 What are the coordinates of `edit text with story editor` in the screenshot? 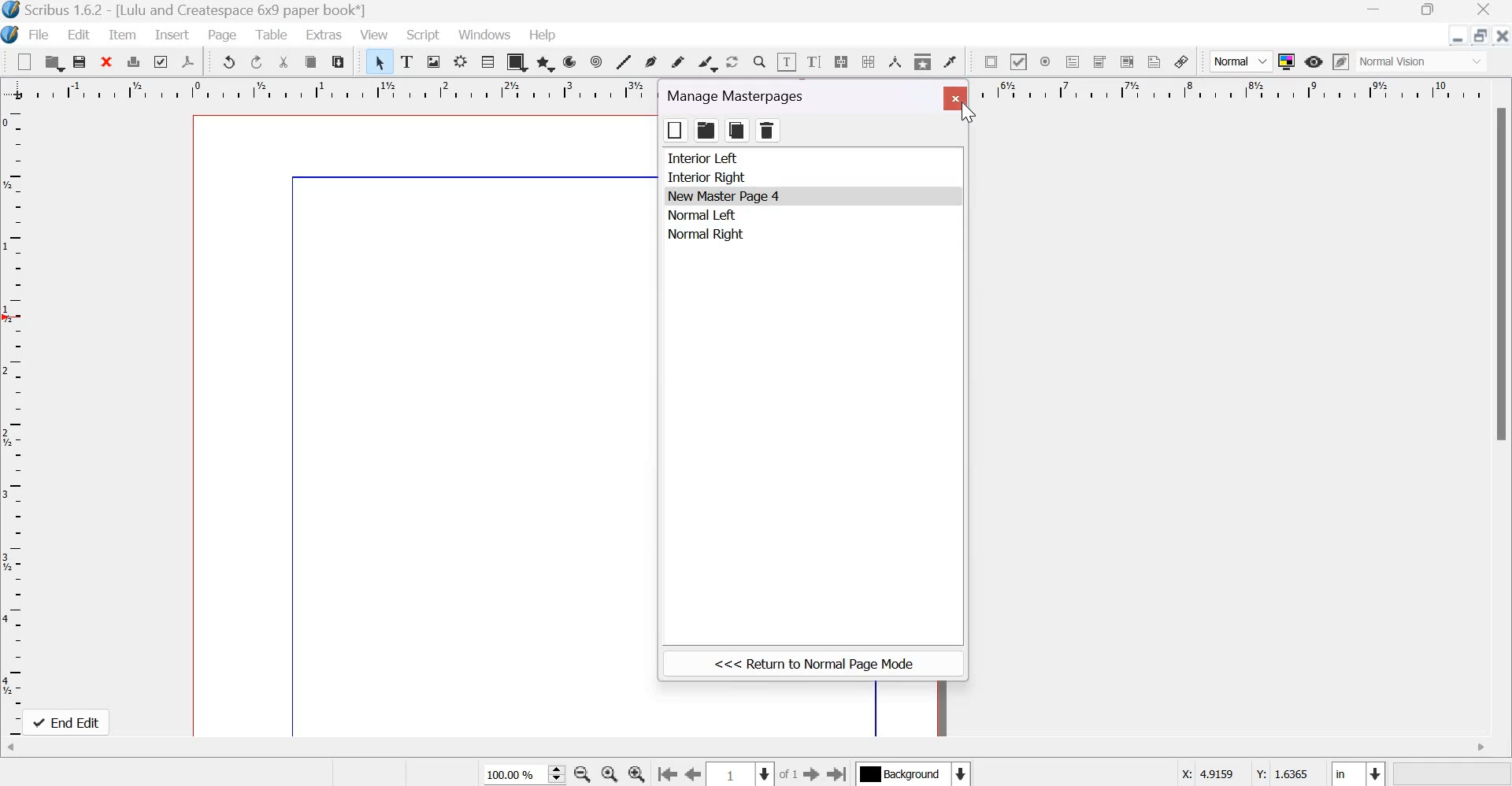 It's located at (814, 62).